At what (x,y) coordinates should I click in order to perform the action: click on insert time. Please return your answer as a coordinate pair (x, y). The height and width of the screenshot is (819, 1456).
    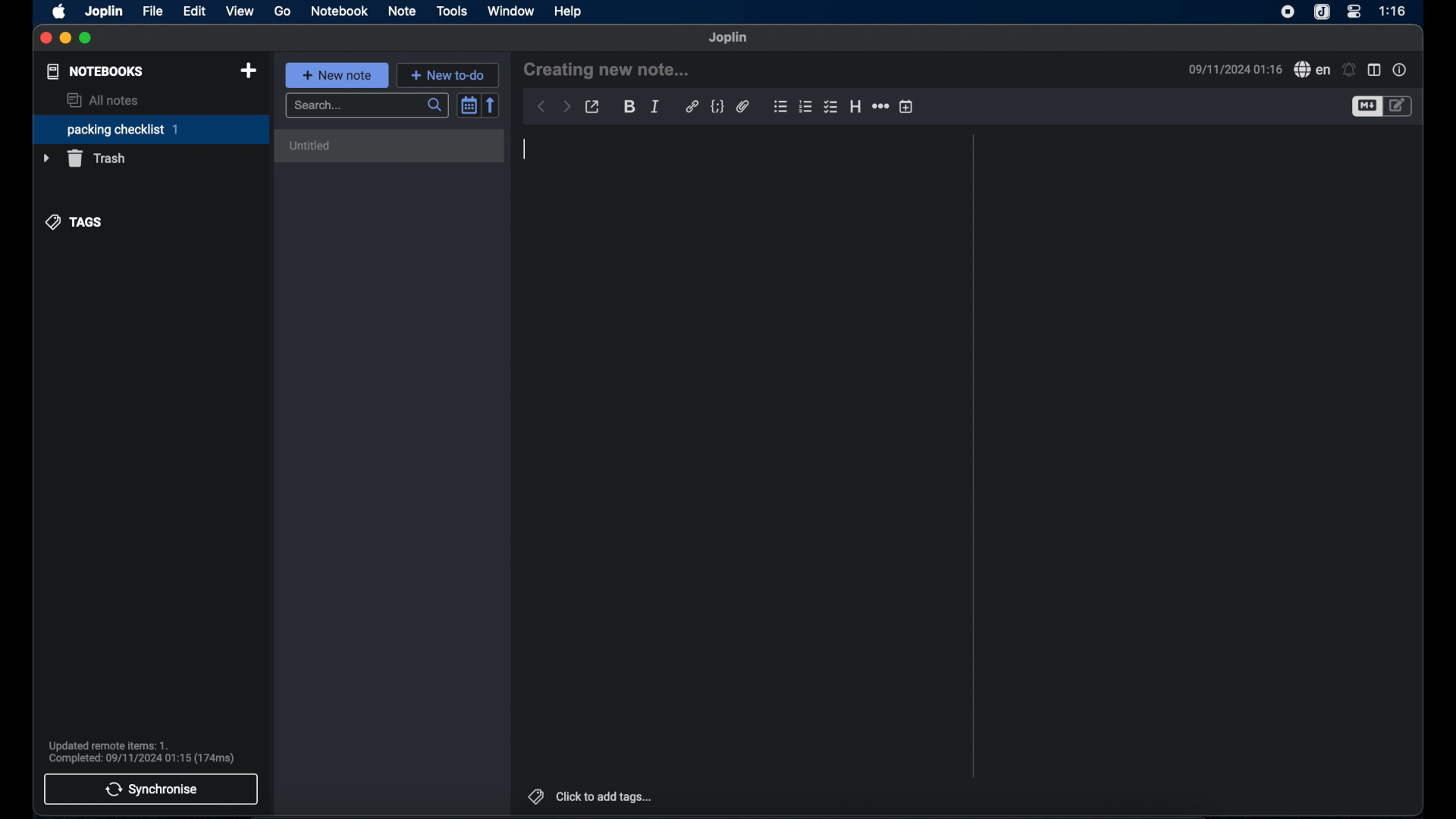
    Looking at the image, I should click on (907, 107).